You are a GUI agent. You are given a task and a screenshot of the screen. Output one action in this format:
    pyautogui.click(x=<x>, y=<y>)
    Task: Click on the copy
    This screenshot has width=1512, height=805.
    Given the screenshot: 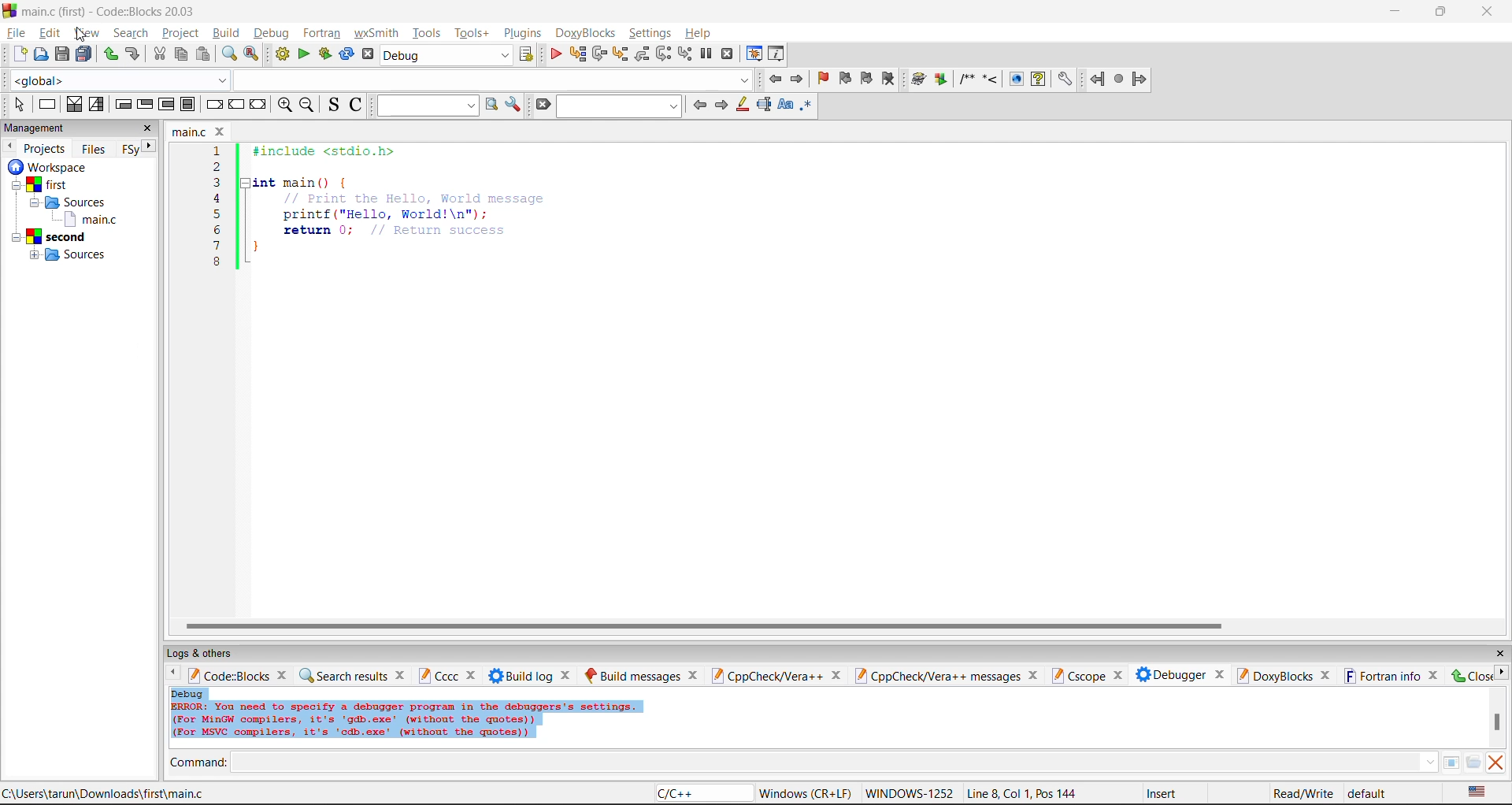 What is the action you would take?
    pyautogui.click(x=181, y=54)
    